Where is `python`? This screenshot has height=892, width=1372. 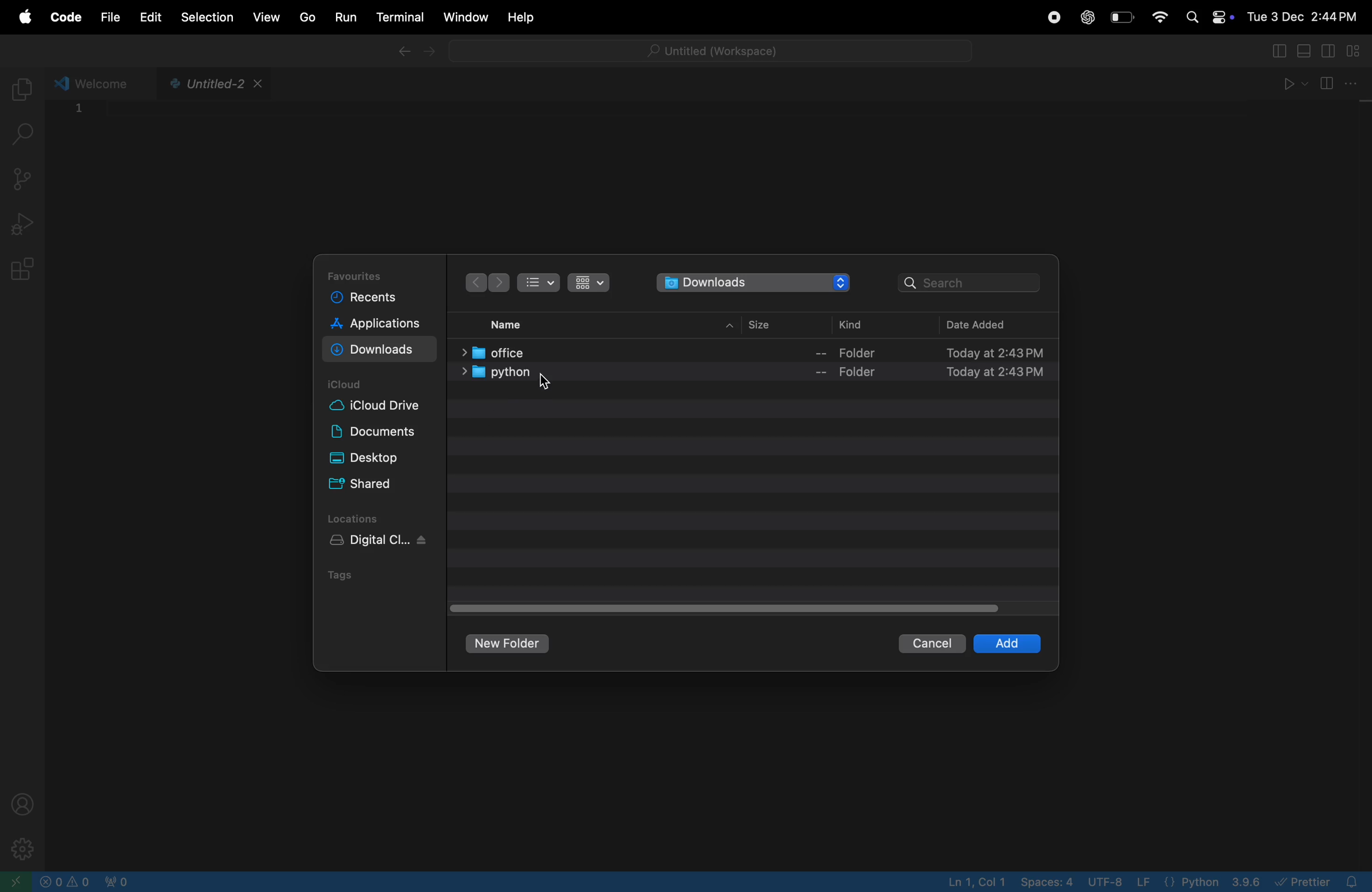
python is located at coordinates (493, 374).